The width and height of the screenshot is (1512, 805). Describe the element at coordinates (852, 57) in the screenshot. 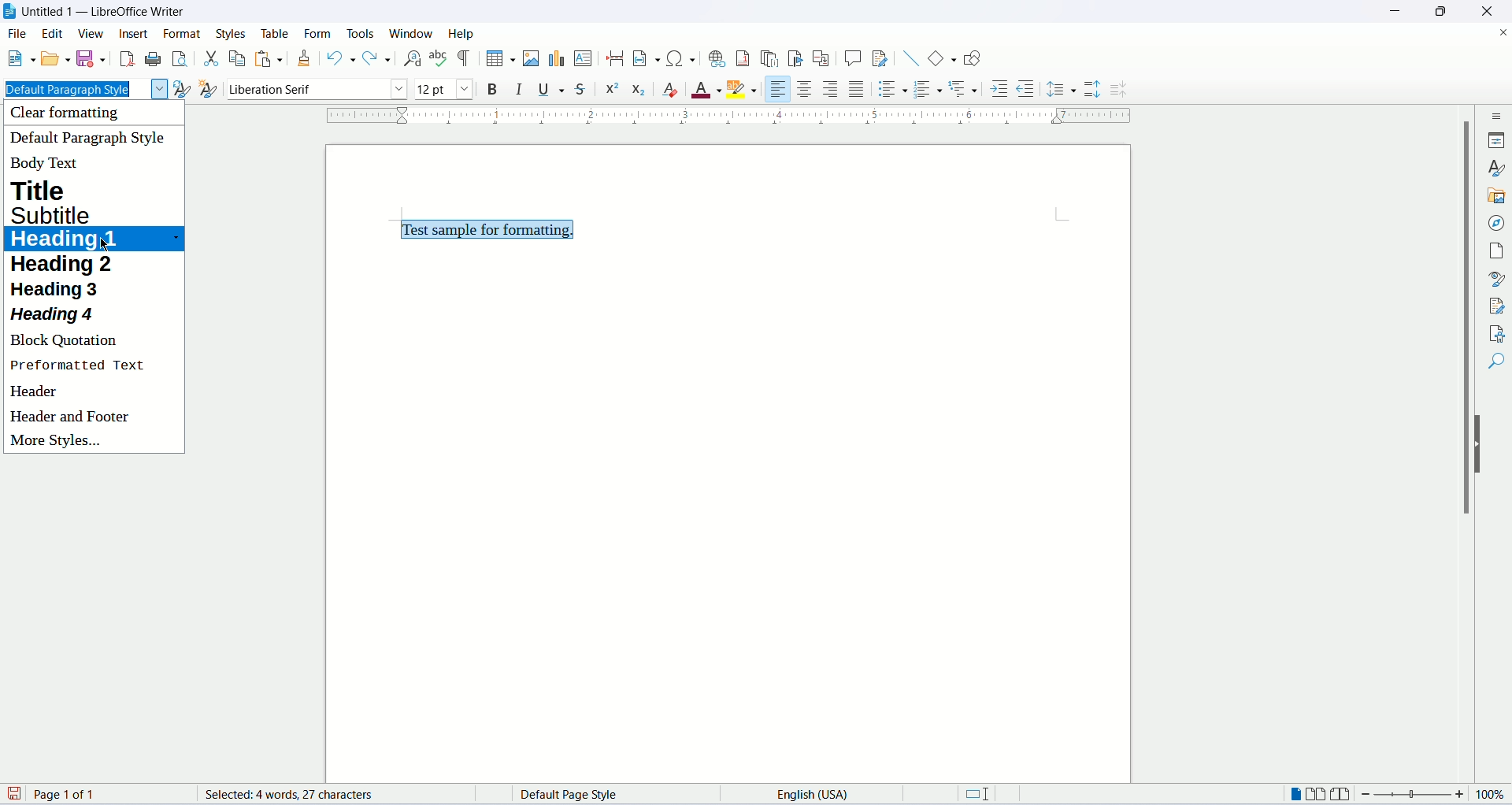

I see `insert comment` at that location.